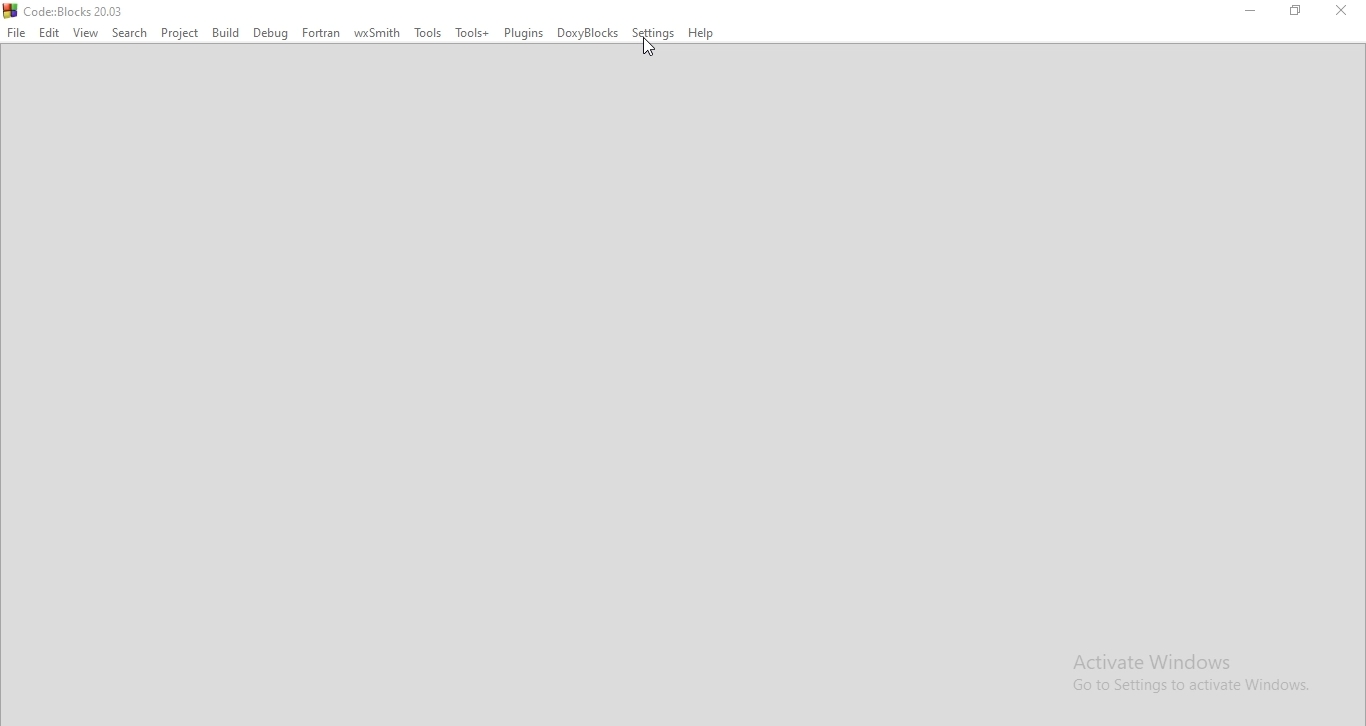 The width and height of the screenshot is (1366, 726). What do you see at coordinates (269, 34) in the screenshot?
I see `Debug` at bounding box center [269, 34].